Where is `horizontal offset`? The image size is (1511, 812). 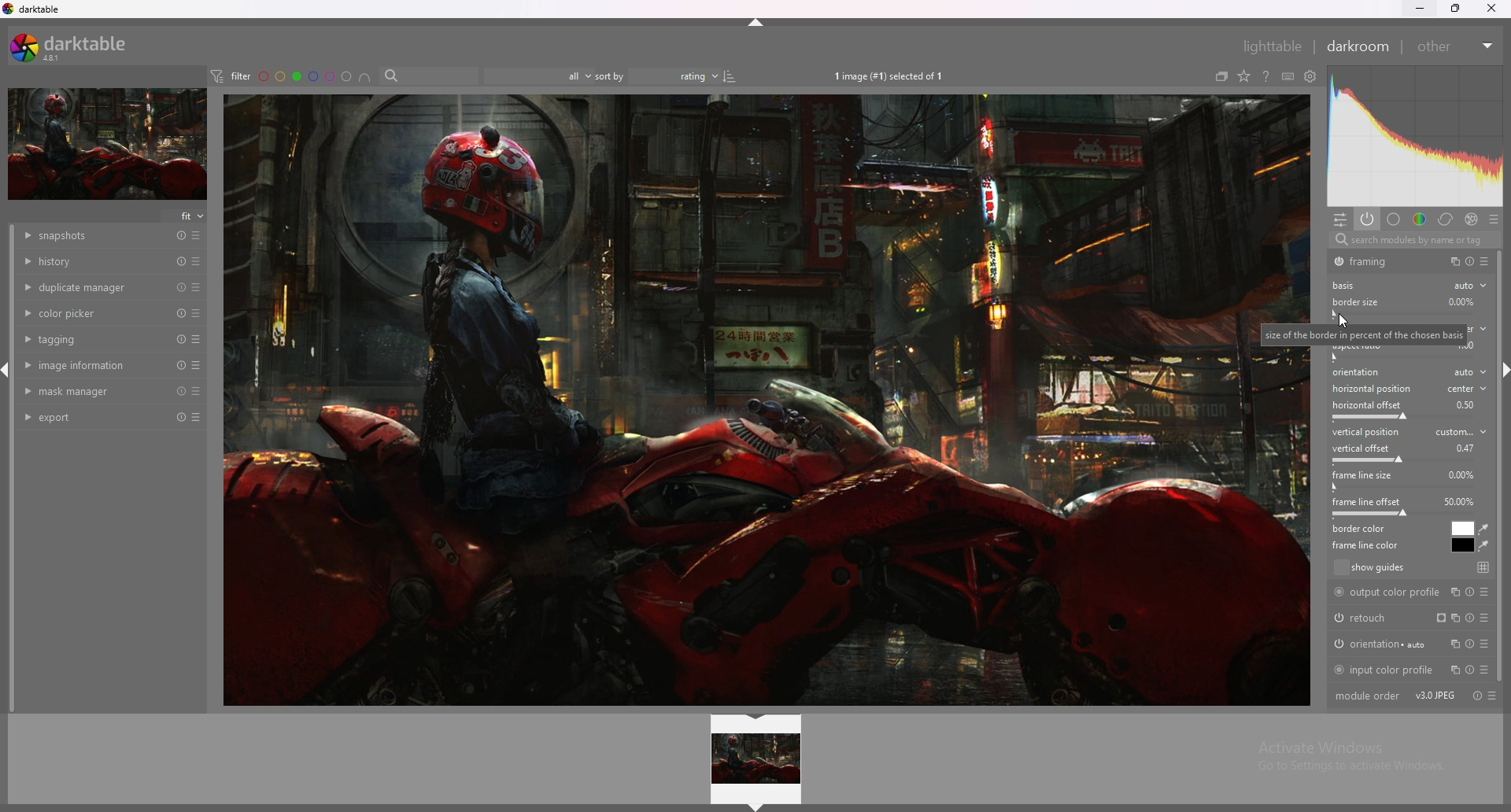
horizontal offset is located at coordinates (1369, 405).